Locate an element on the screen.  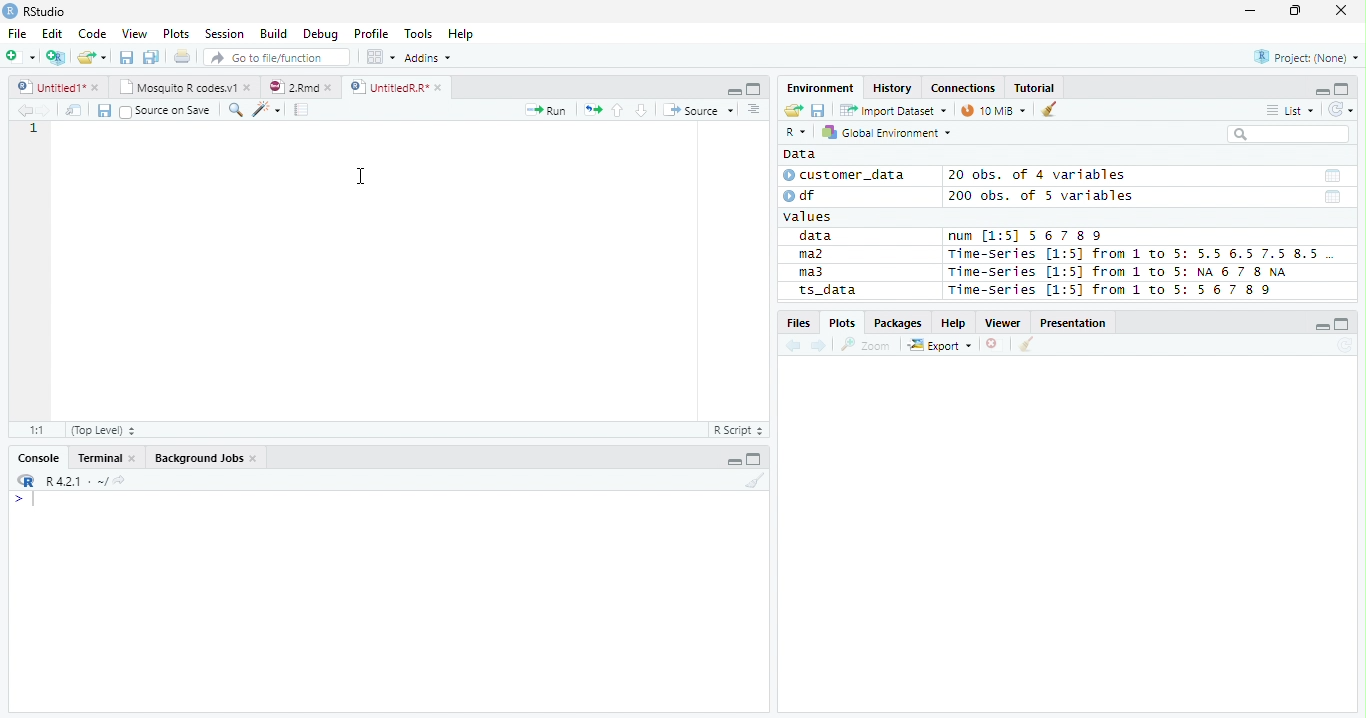
Date is located at coordinates (1333, 198).